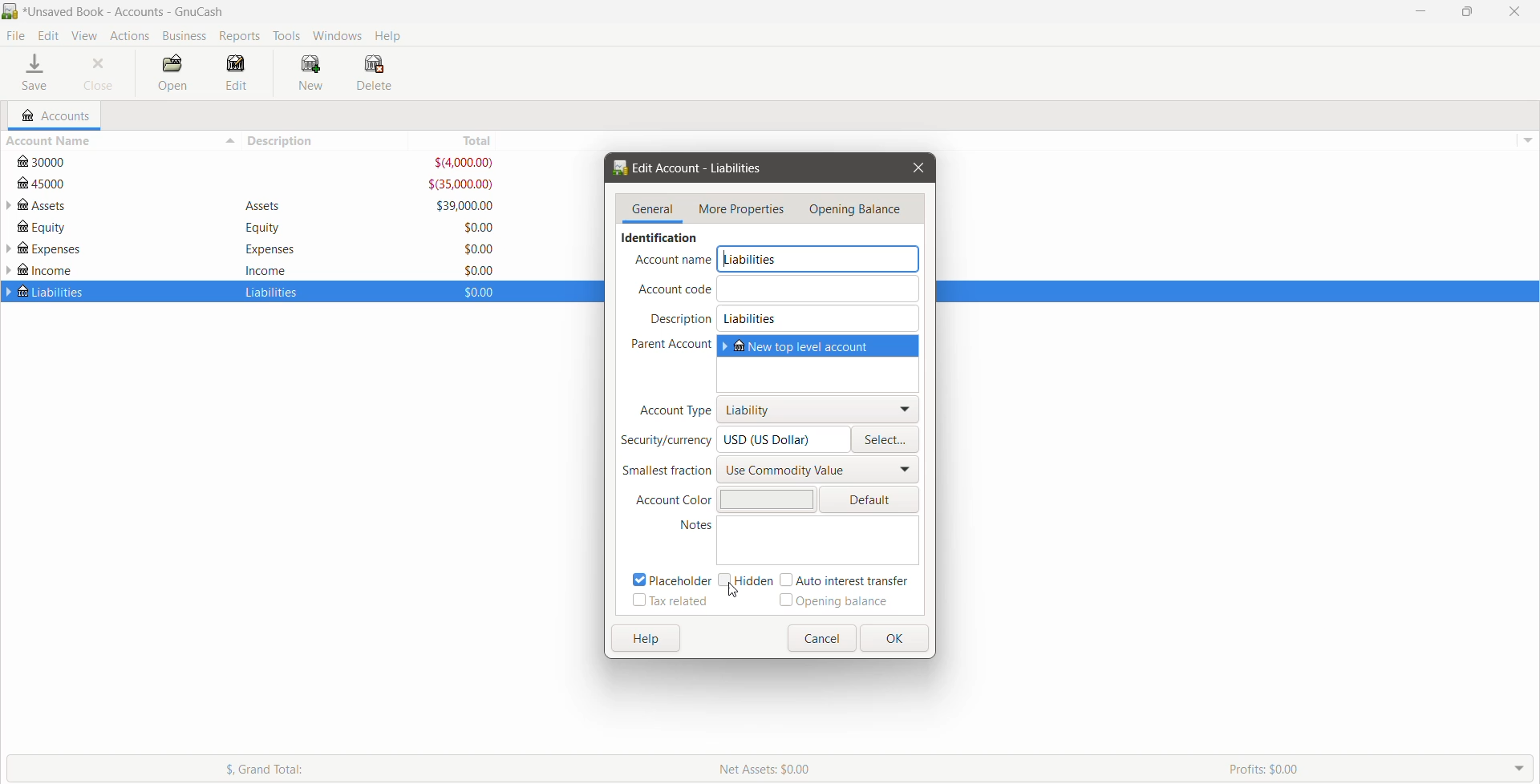 The height and width of the screenshot is (784, 1540). I want to click on Set Account type, so click(819, 409).